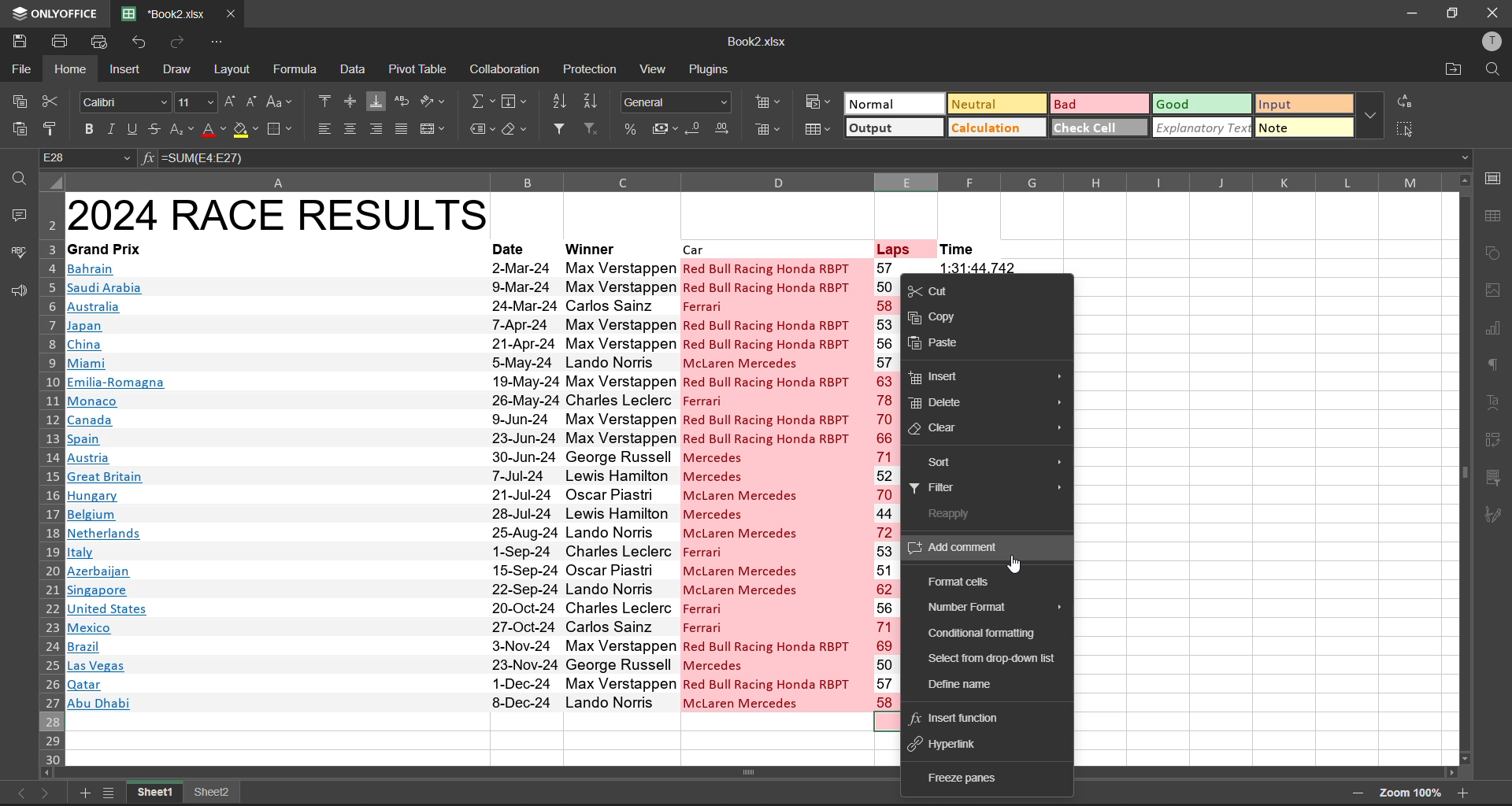 This screenshot has height=806, width=1512. I want to click on customize quick access toolbar, so click(221, 43).